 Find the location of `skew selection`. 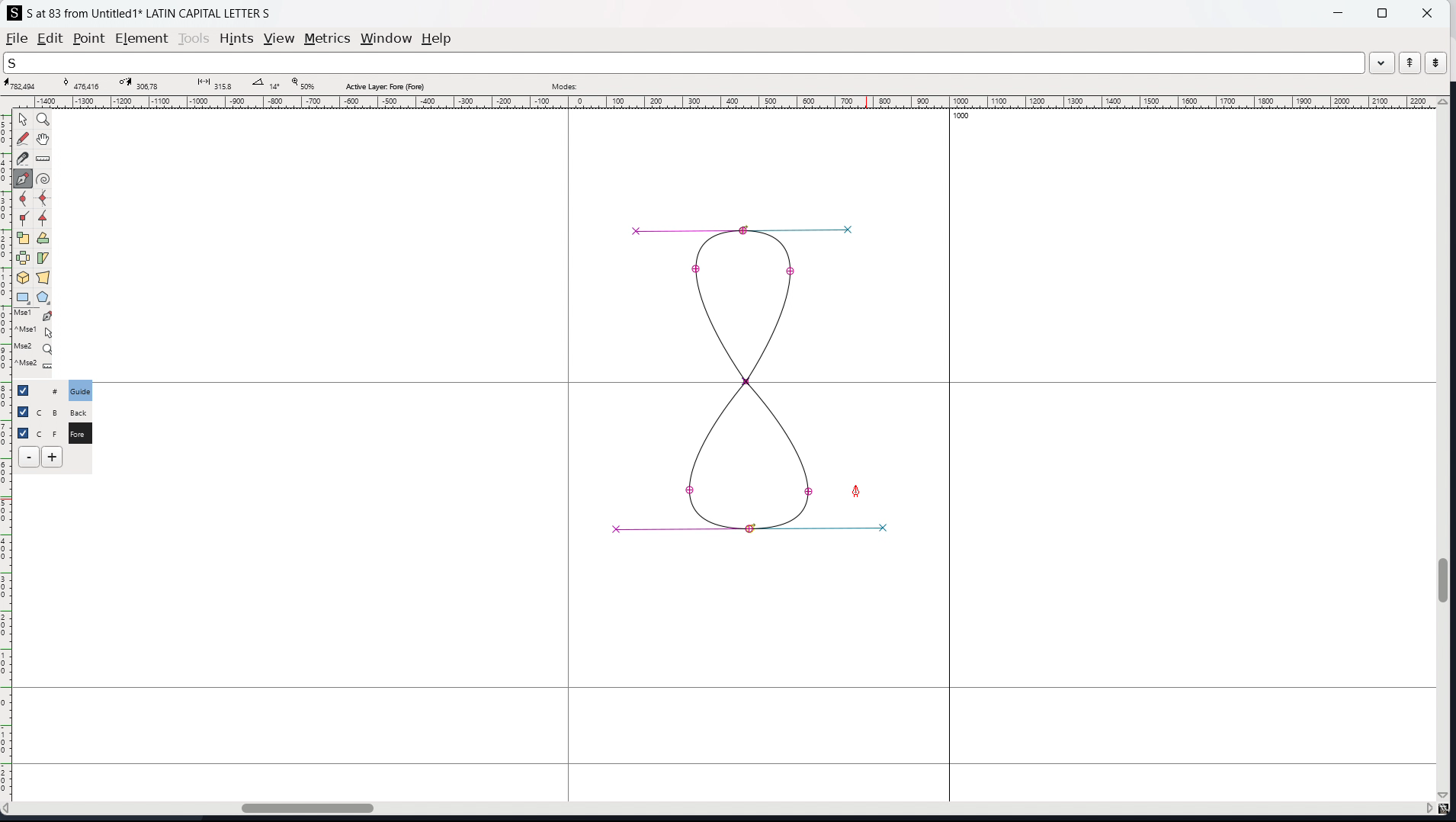

skew selection is located at coordinates (43, 259).